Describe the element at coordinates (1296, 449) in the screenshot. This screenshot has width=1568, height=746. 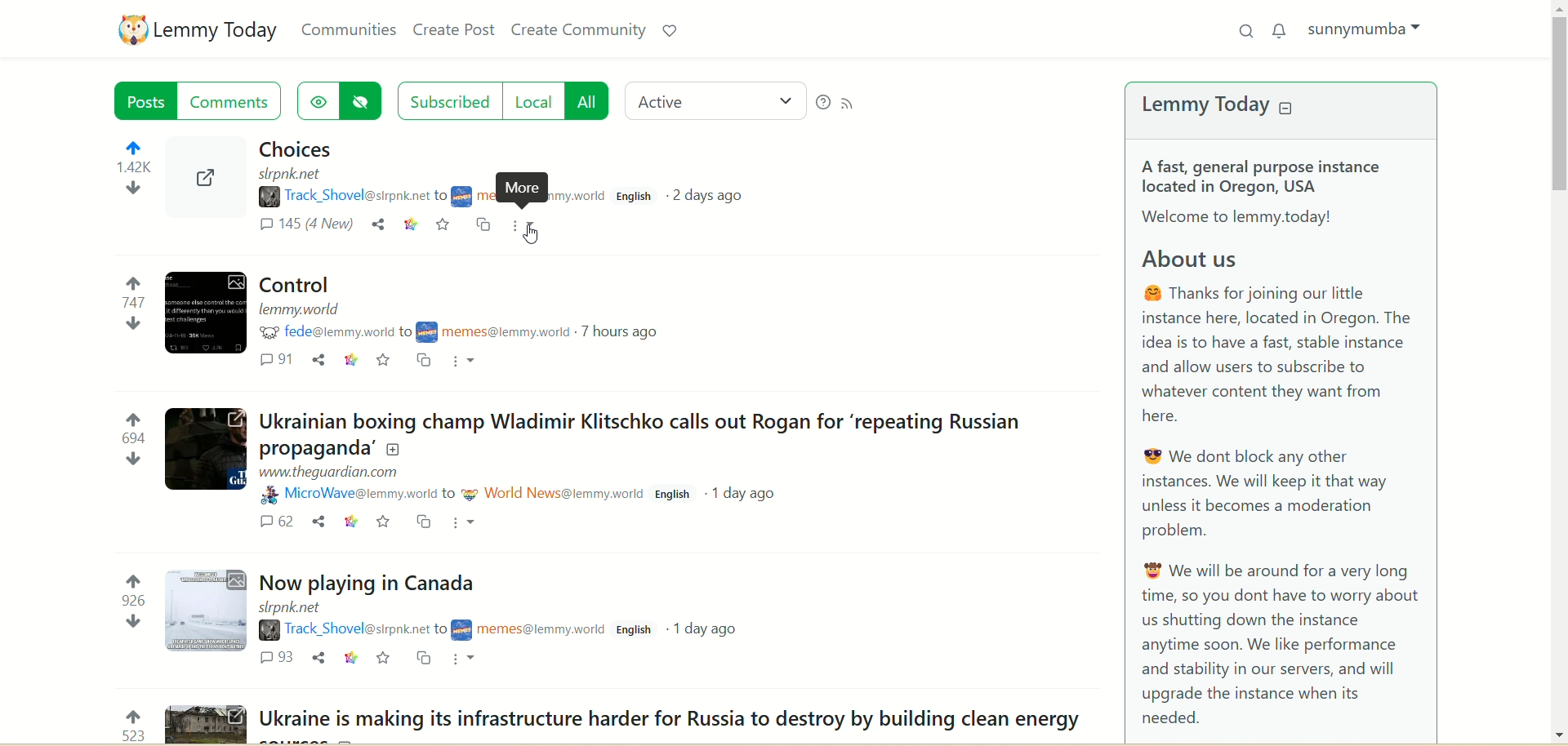
I see `A brief about Lemmy today` at that location.